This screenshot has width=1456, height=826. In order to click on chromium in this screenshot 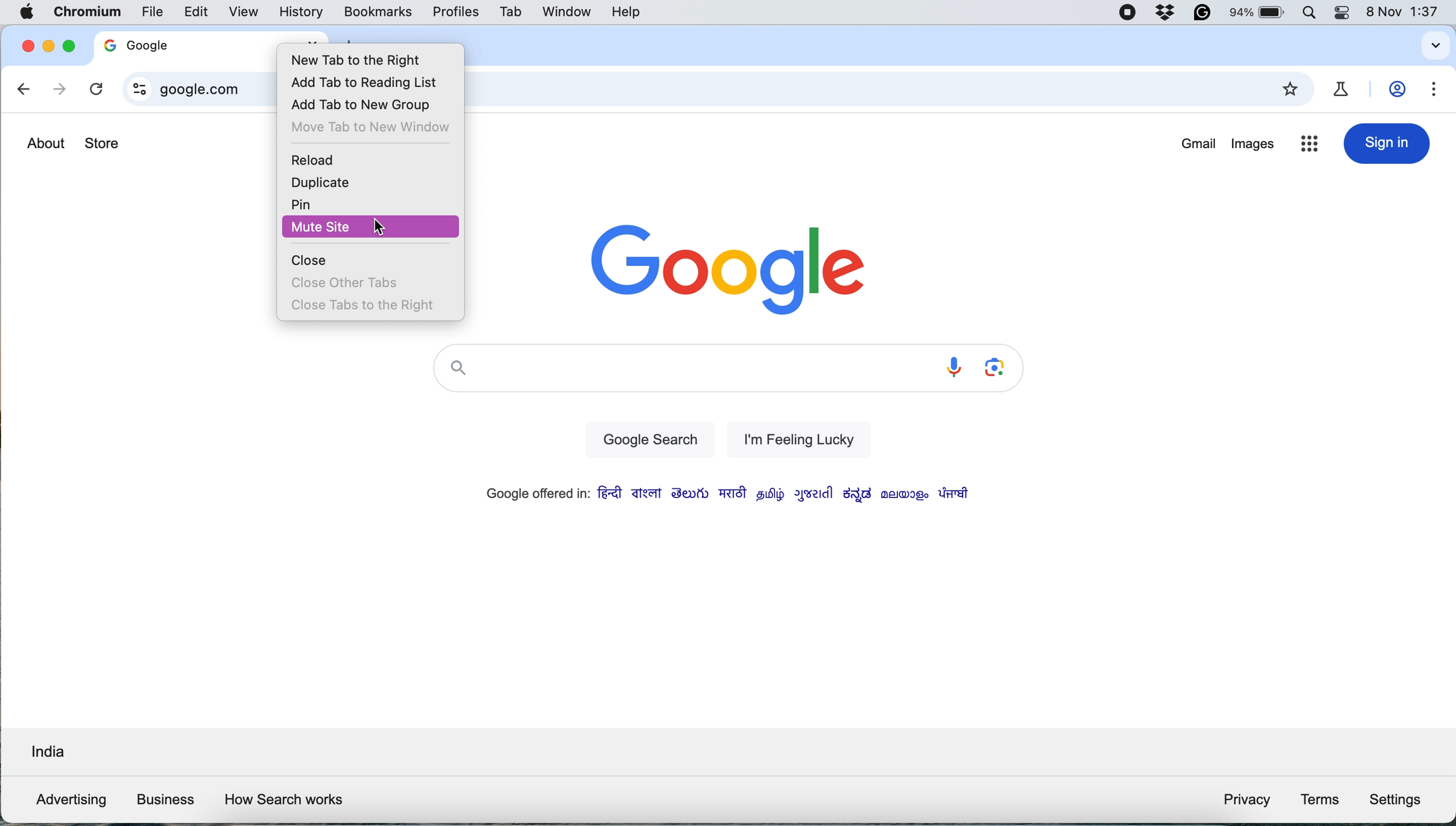, I will do `click(85, 14)`.